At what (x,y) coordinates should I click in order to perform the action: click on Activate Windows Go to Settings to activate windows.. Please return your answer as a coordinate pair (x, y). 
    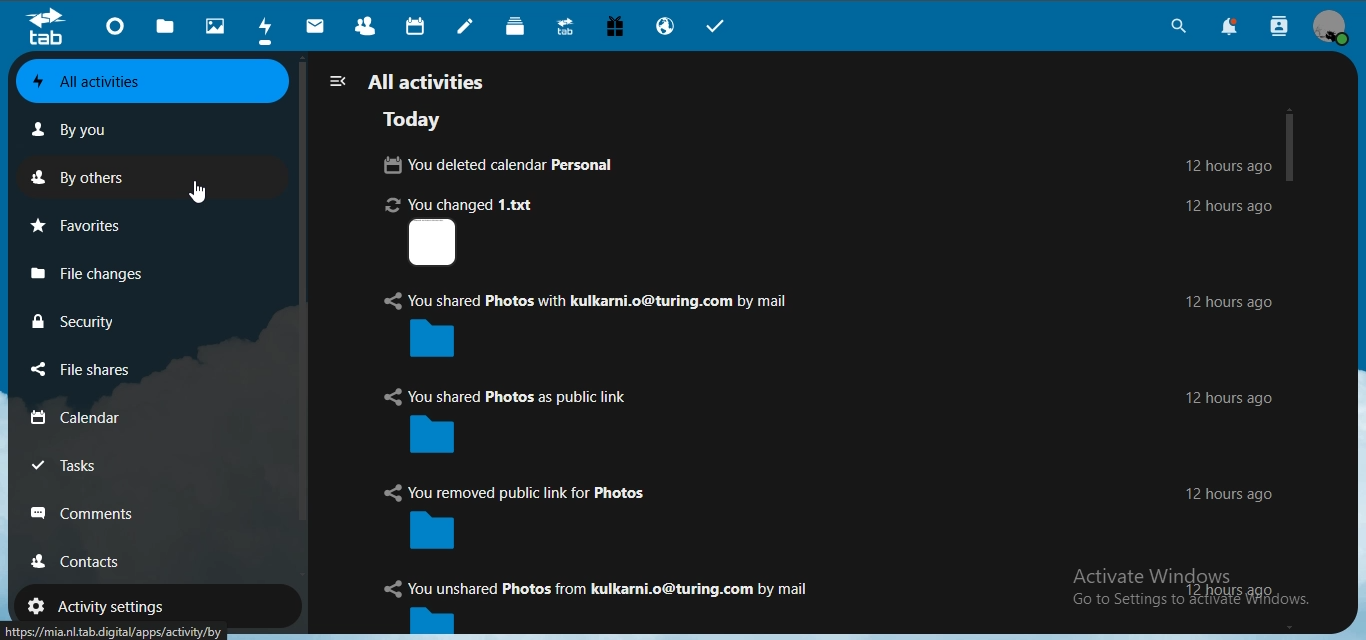
    Looking at the image, I should click on (1186, 591).